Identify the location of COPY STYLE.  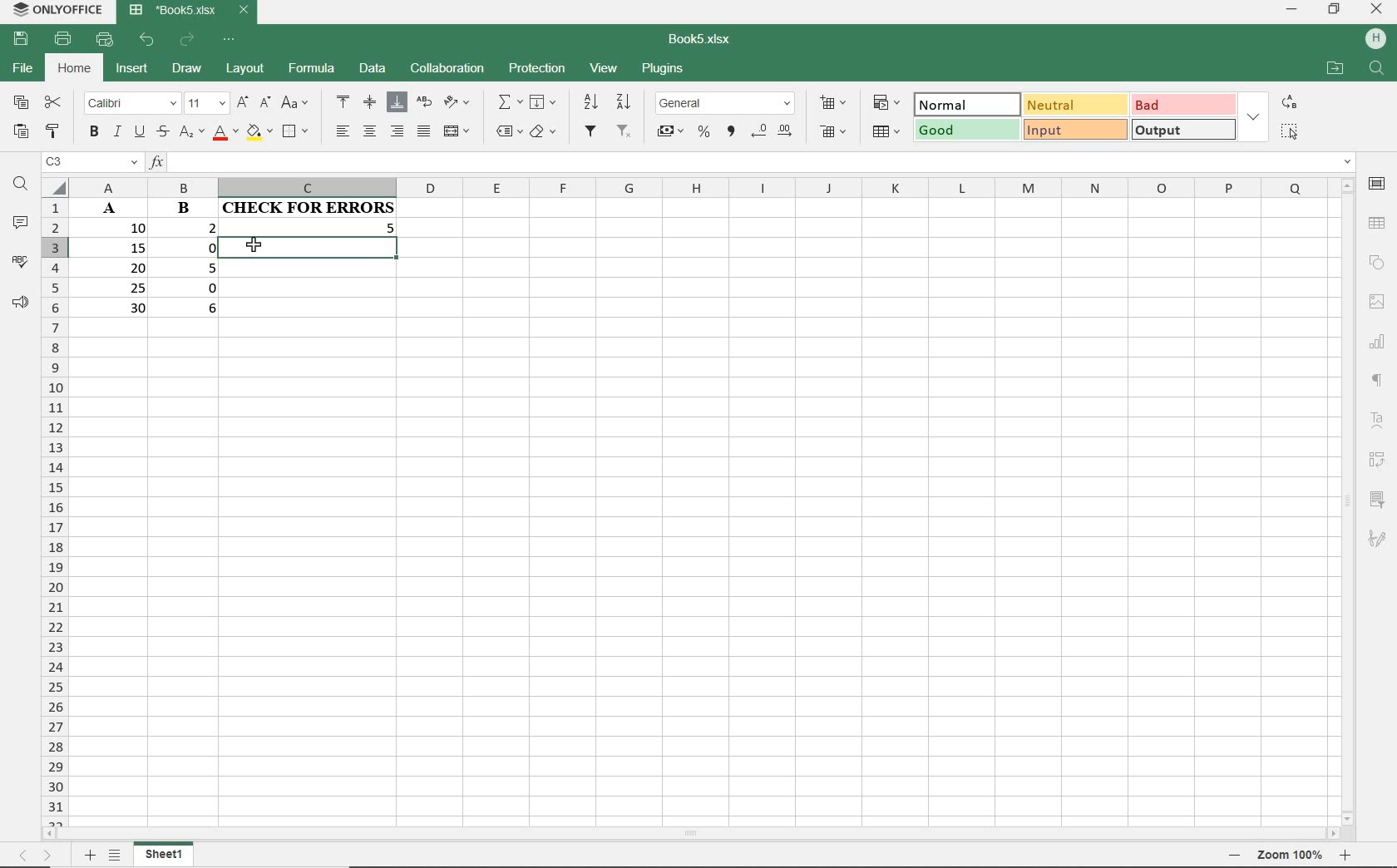
(54, 131).